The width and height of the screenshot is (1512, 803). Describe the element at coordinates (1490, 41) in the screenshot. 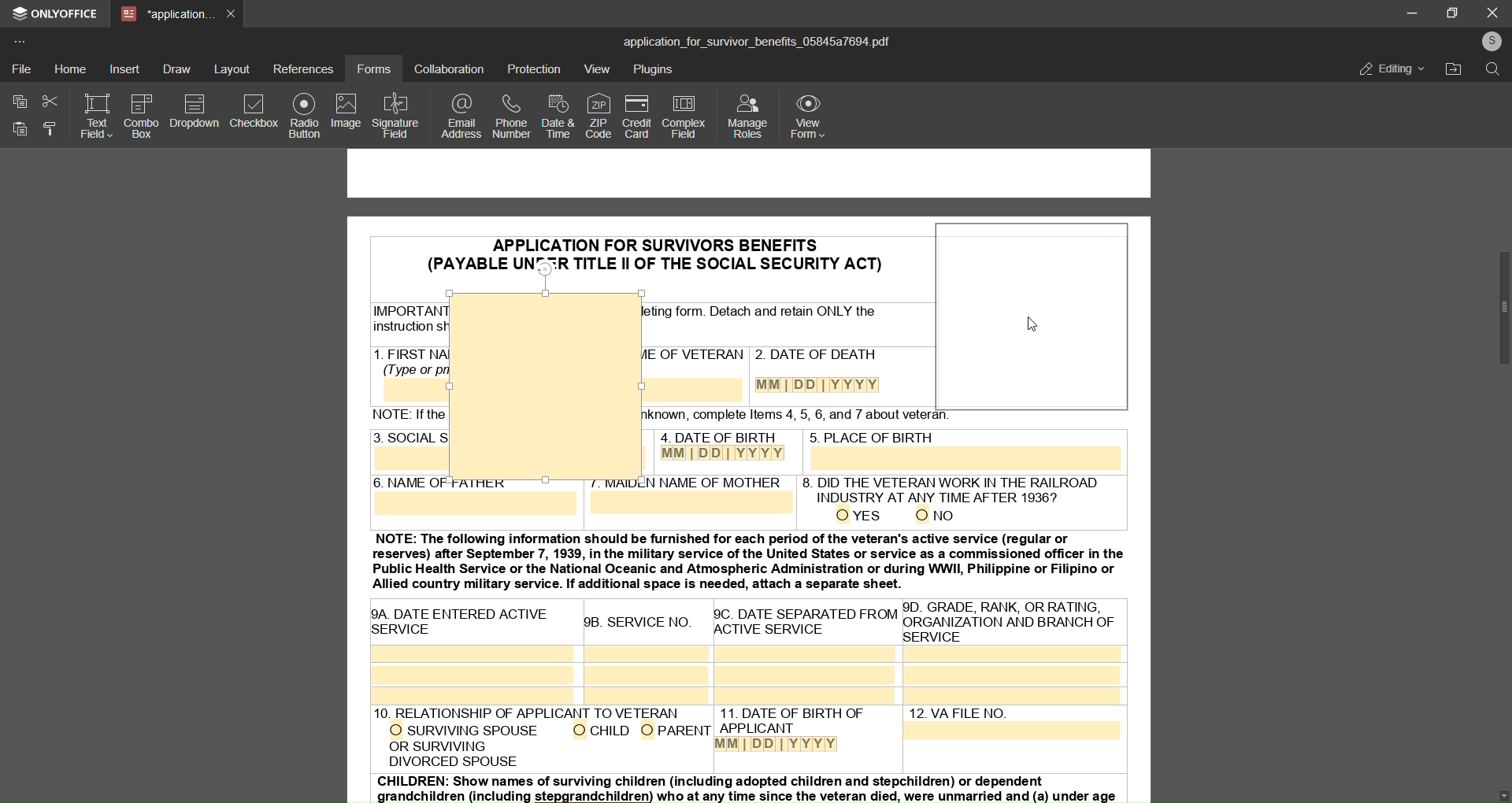

I see `user` at that location.